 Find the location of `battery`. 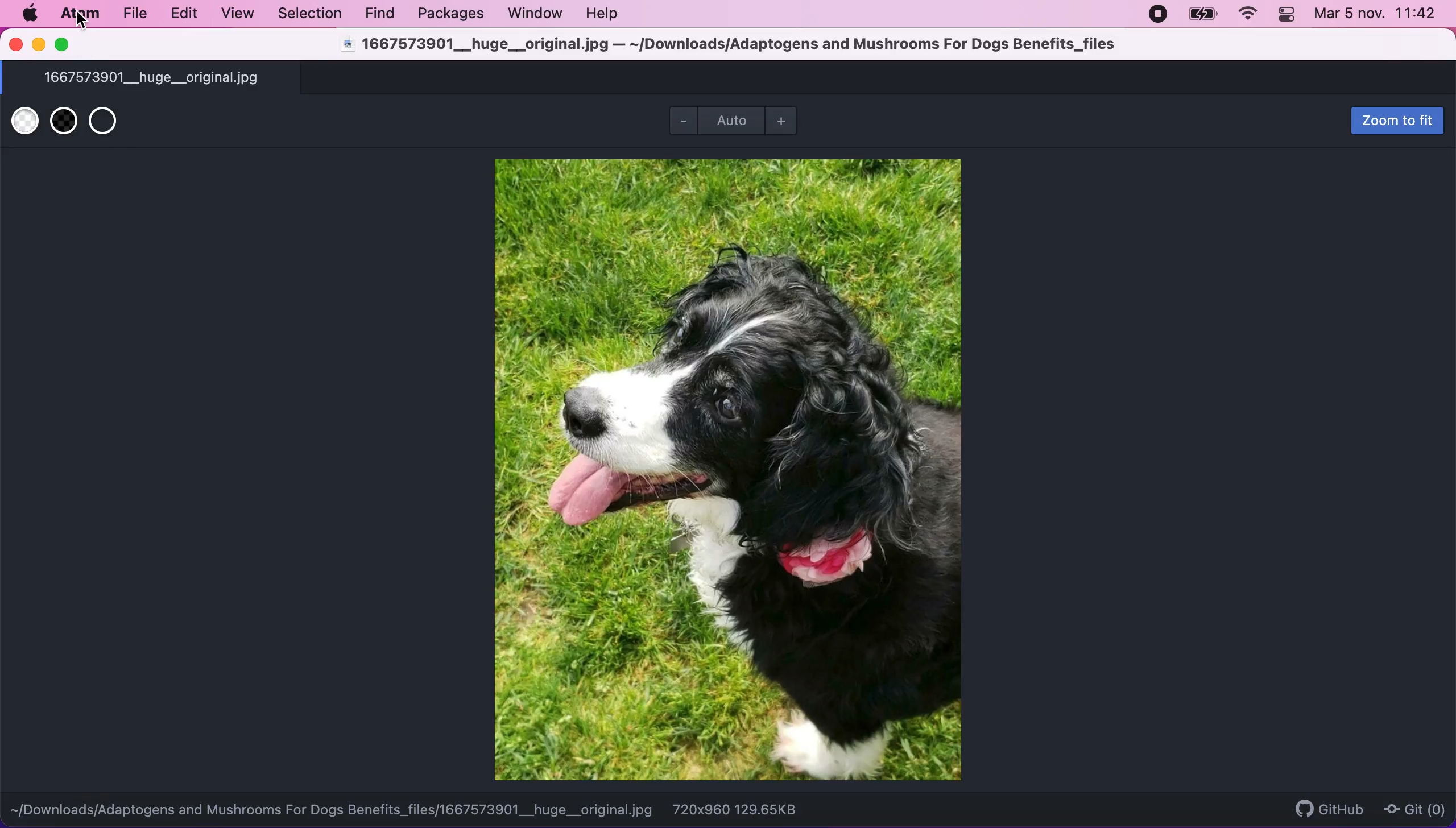

battery is located at coordinates (1201, 16).